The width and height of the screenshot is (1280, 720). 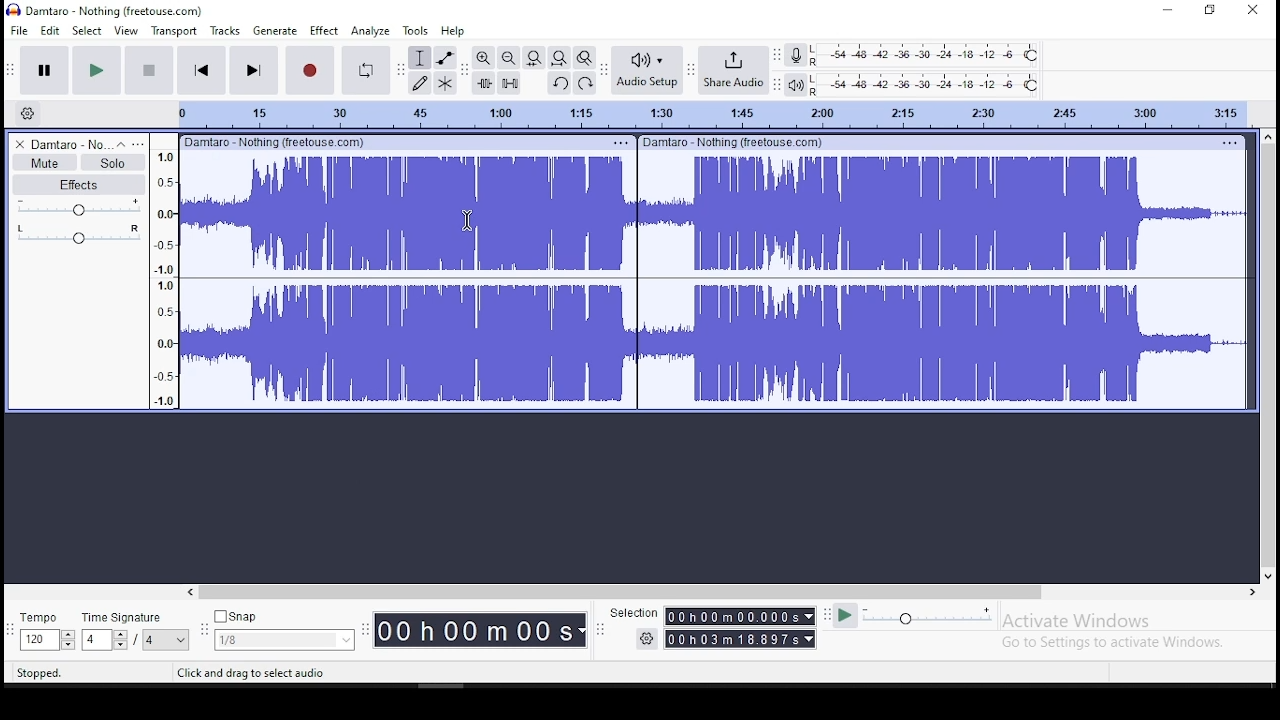 What do you see at coordinates (124, 618) in the screenshot?
I see `time signature` at bounding box center [124, 618].